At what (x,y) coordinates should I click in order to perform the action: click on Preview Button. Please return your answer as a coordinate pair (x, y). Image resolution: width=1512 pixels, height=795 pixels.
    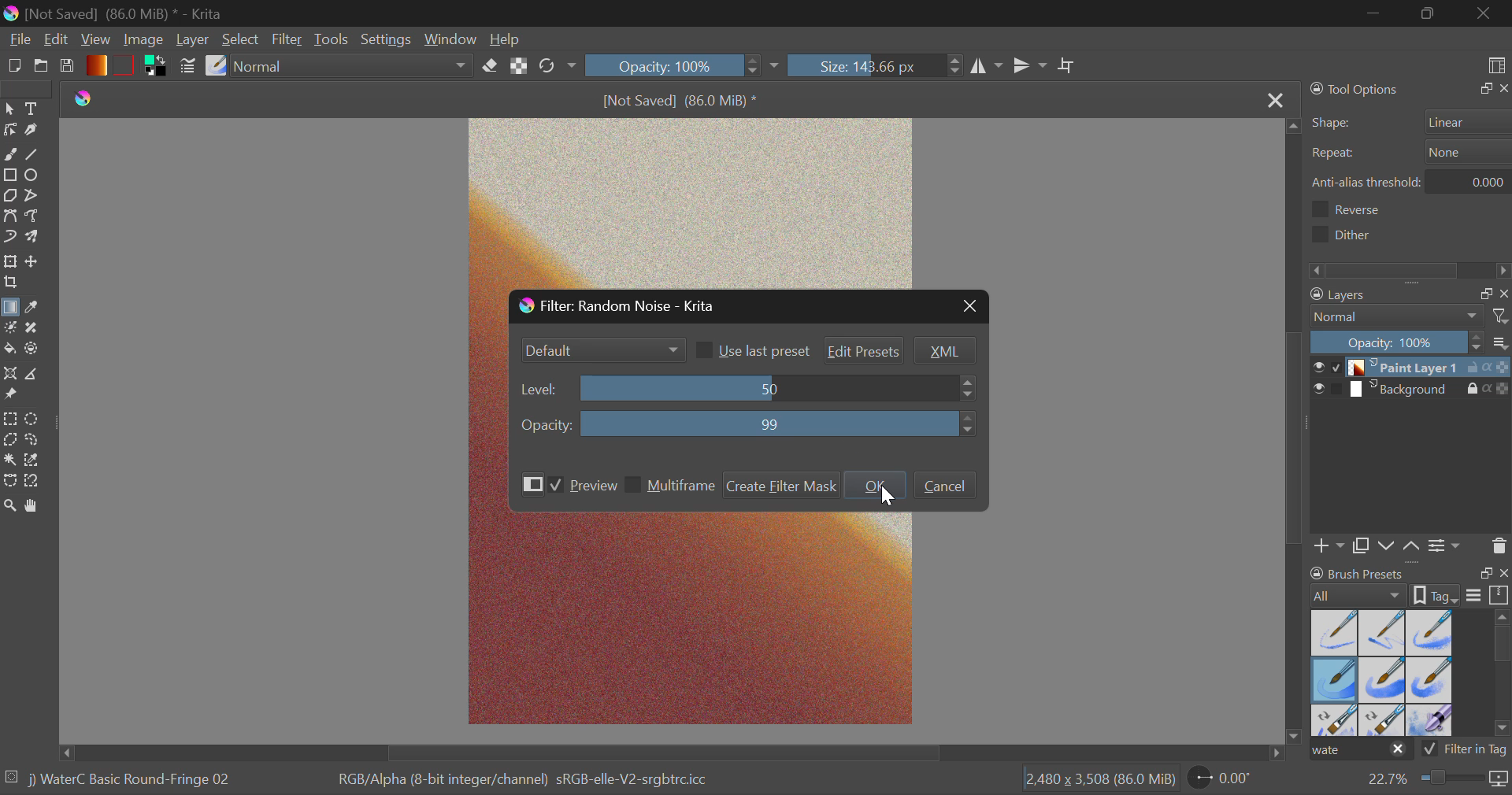
    Looking at the image, I should click on (532, 484).